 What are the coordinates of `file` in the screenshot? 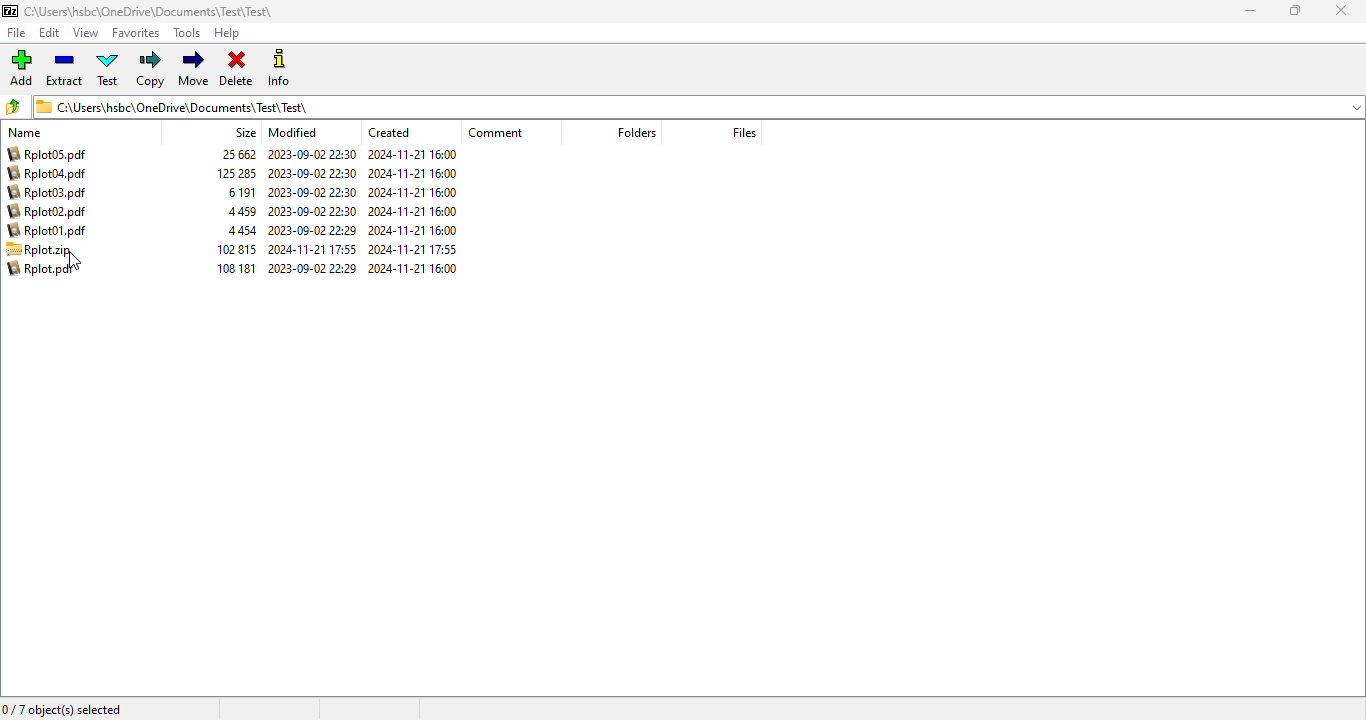 It's located at (41, 250).